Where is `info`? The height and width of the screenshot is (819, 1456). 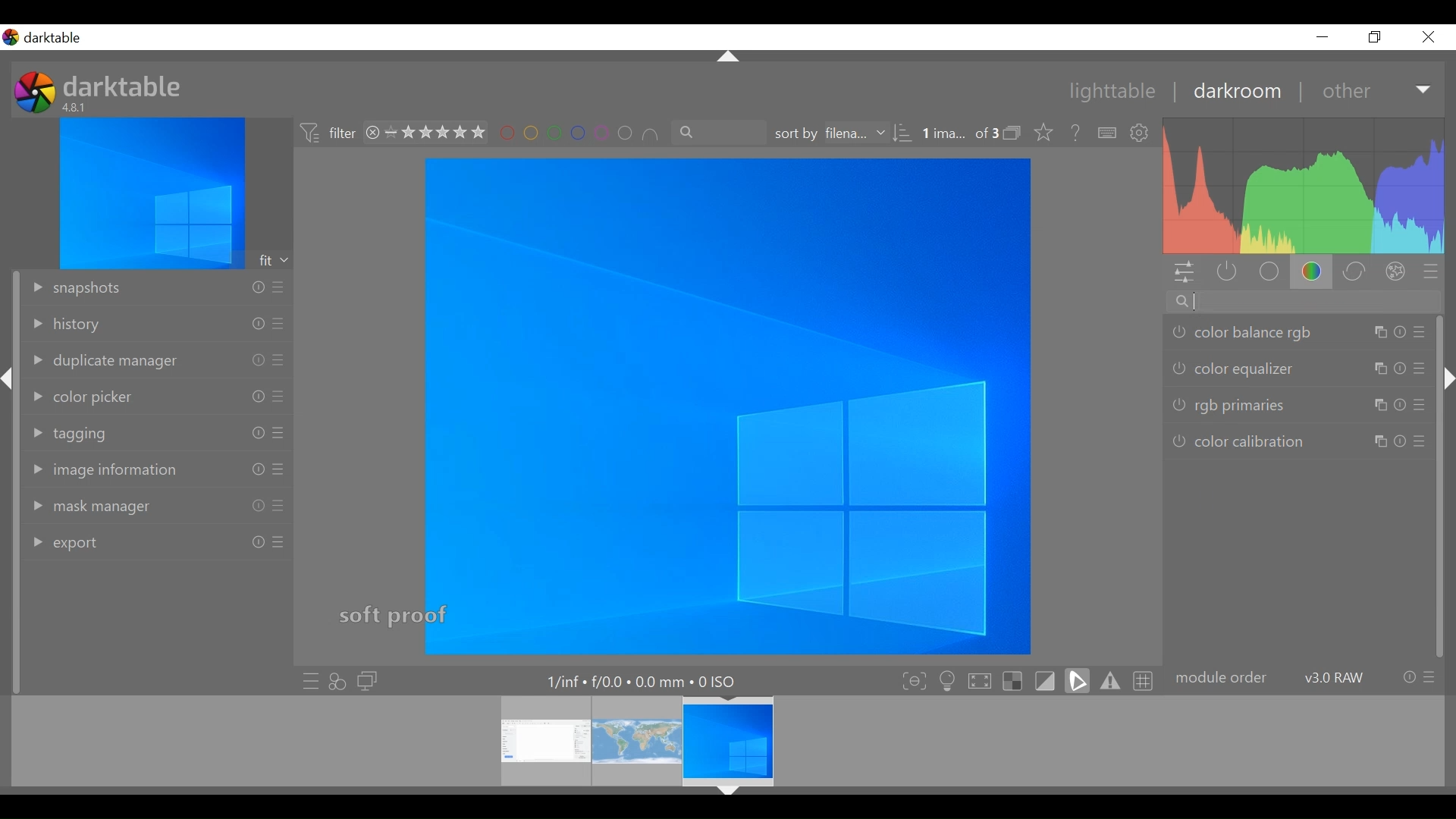
info is located at coordinates (1398, 406).